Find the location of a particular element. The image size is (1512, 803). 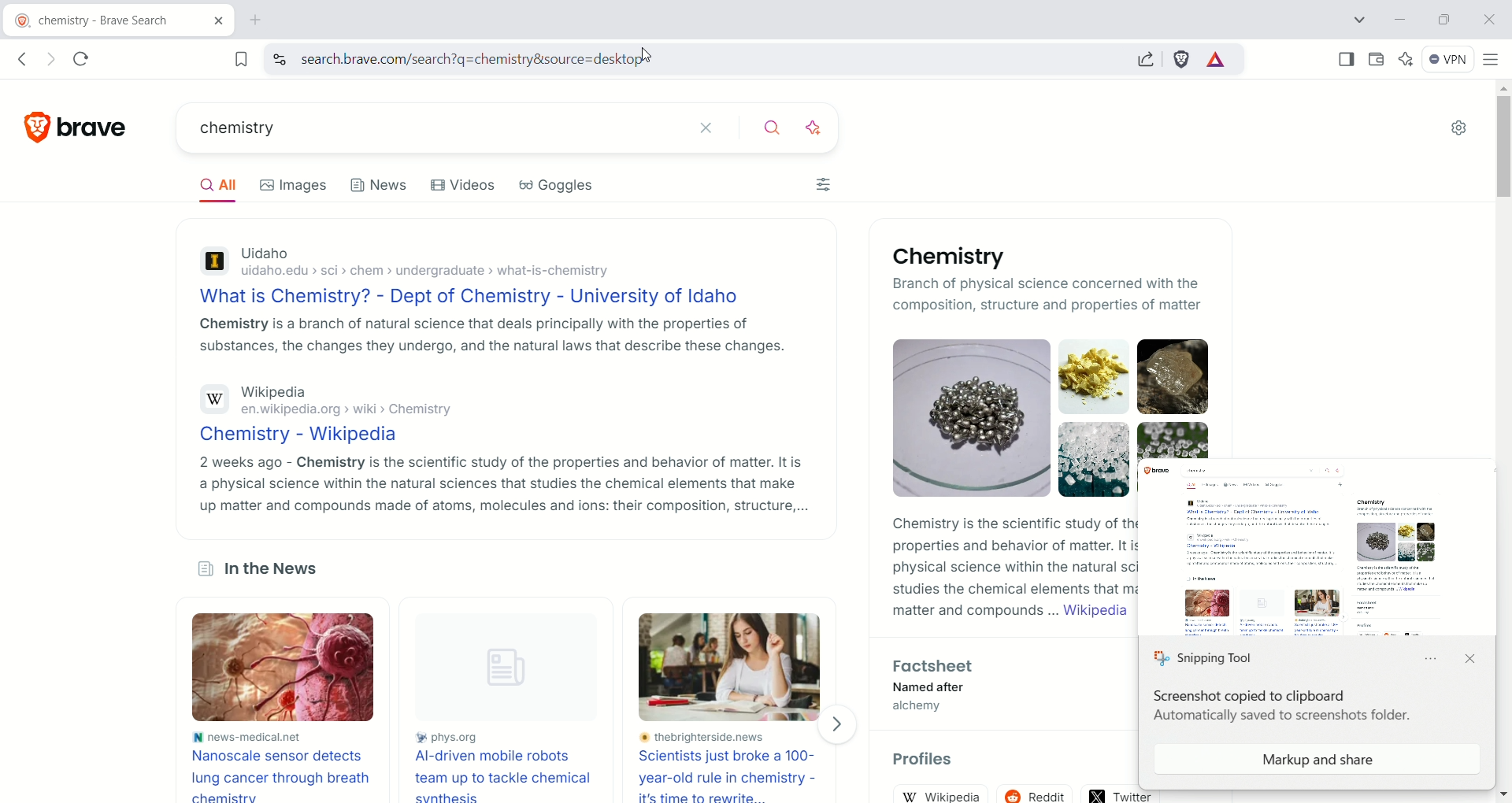

News-medical.net Nanoscale sensor detects lung cancer through breath chemistry is located at coordinates (280, 765).